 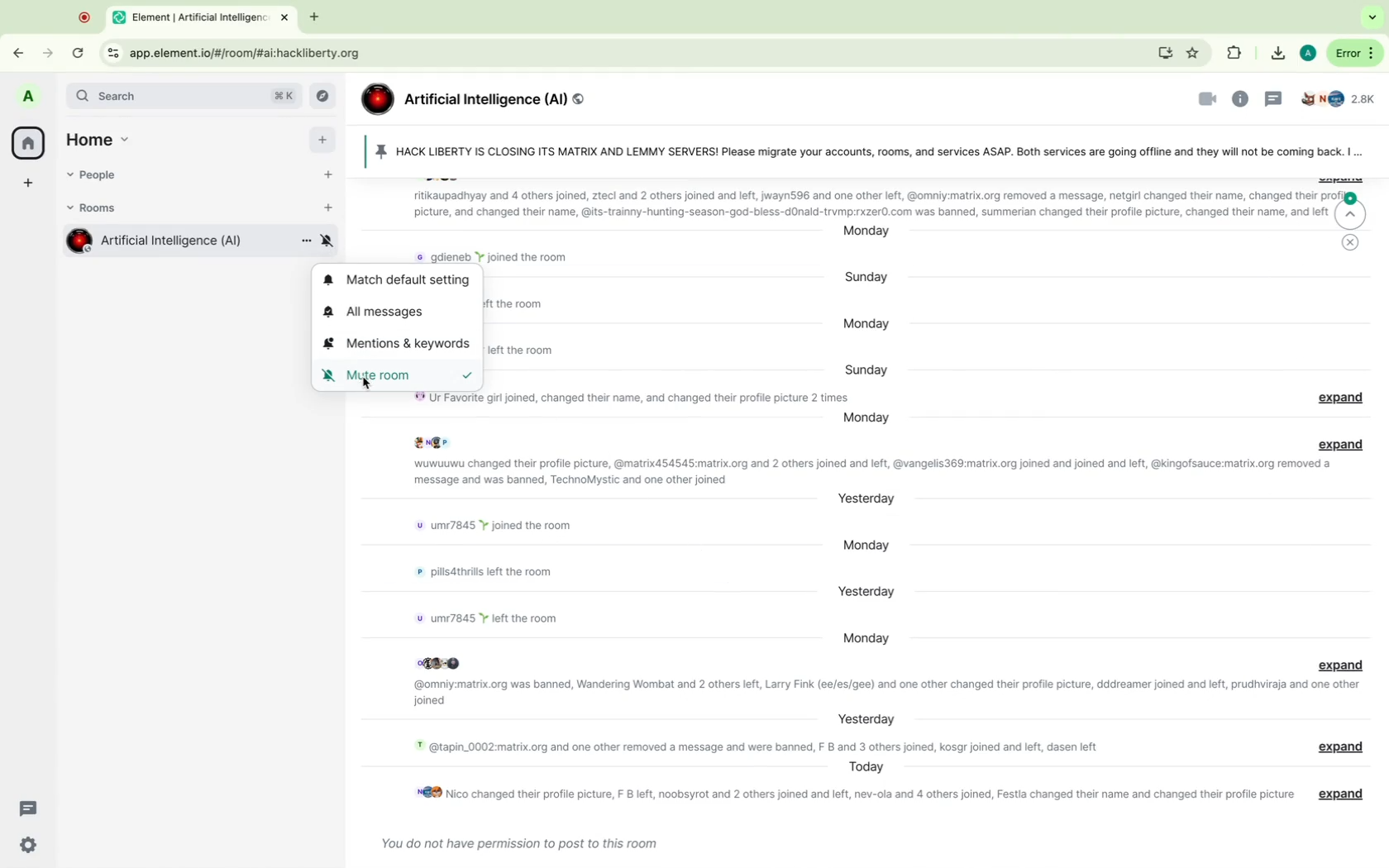 What do you see at coordinates (1372, 18) in the screenshot?
I see `search tabs` at bounding box center [1372, 18].